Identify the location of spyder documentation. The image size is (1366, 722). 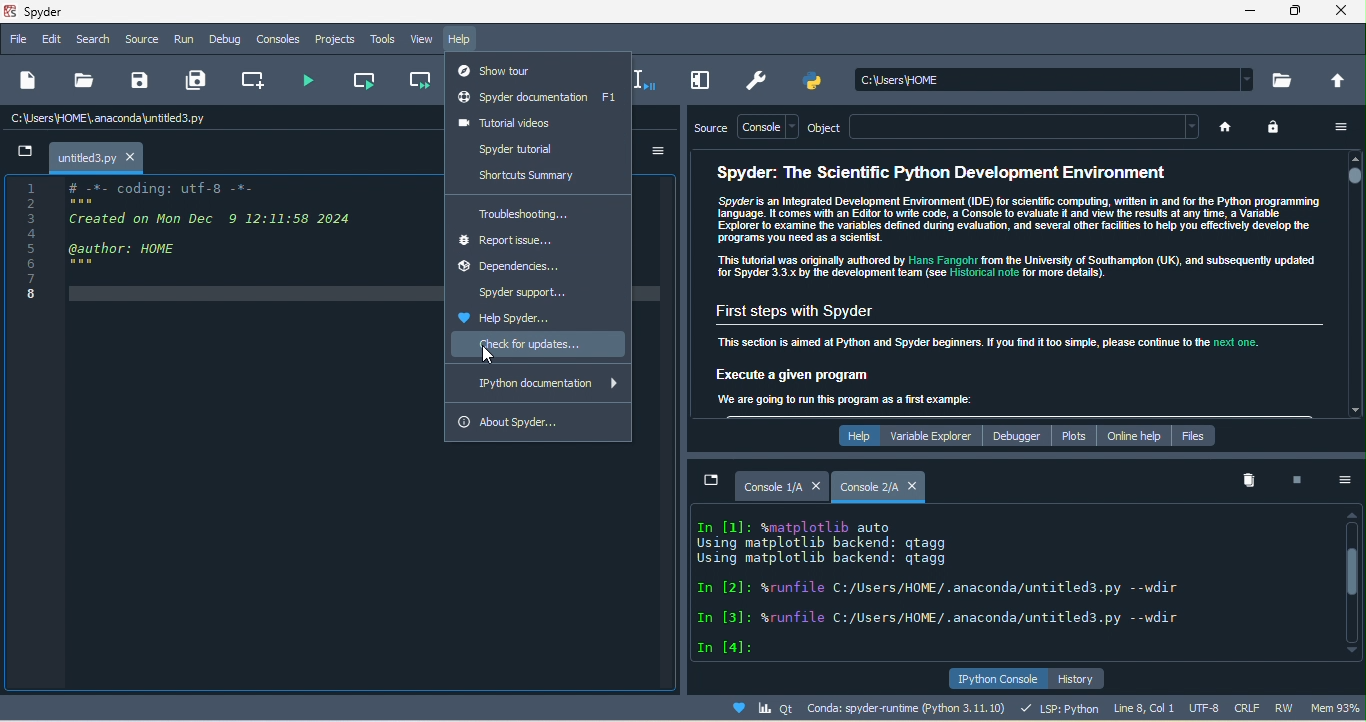
(533, 100).